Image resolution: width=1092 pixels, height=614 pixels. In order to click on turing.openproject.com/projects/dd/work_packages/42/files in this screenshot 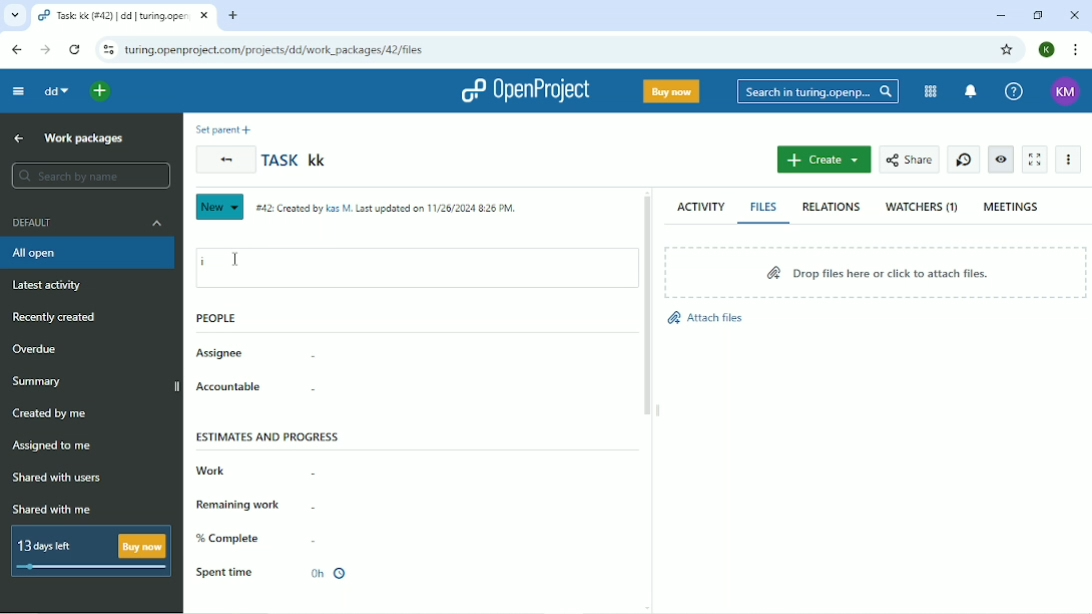, I will do `click(275, 49)`.